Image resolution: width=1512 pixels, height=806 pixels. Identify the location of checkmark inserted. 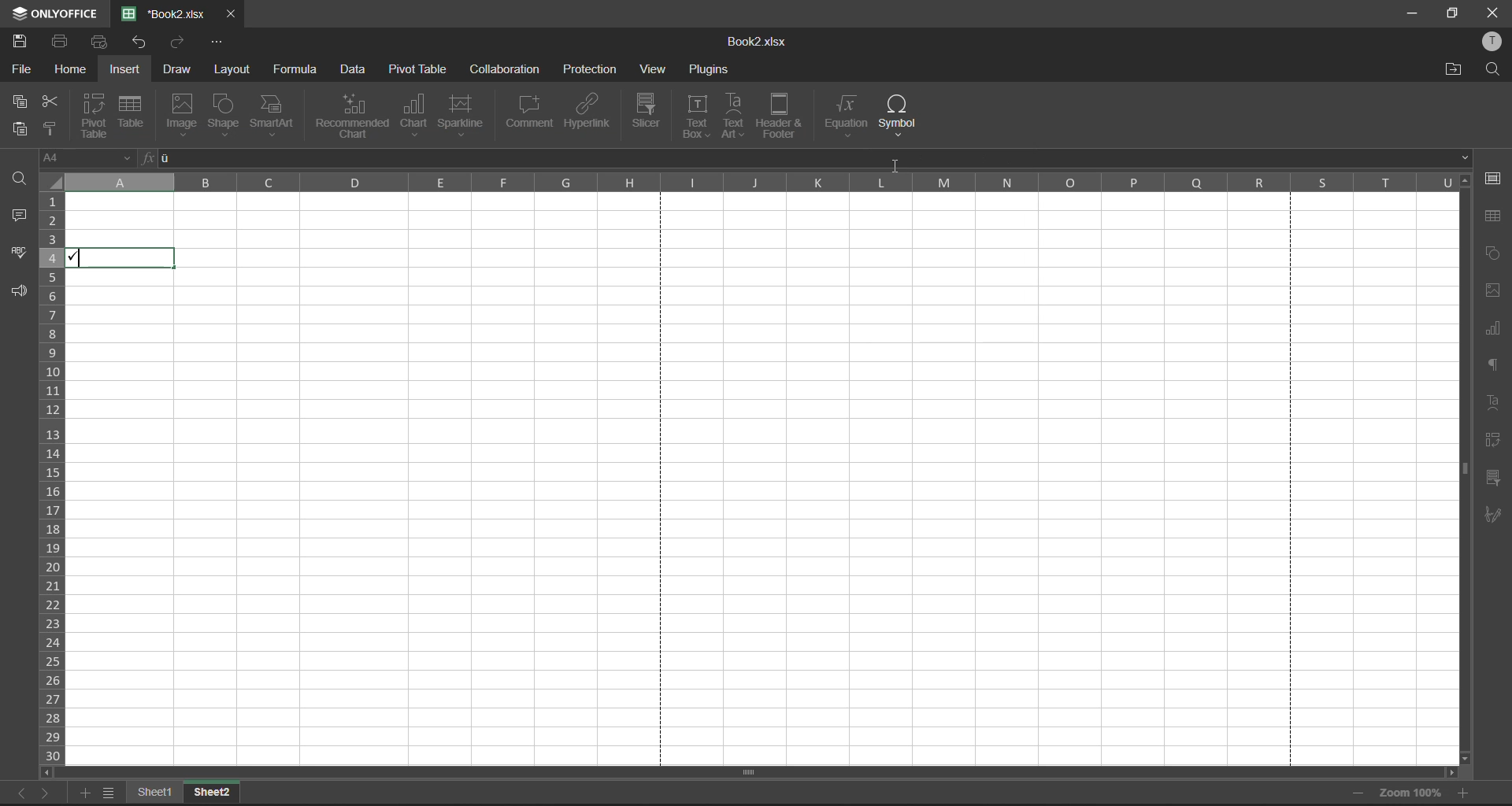
(121, 257).